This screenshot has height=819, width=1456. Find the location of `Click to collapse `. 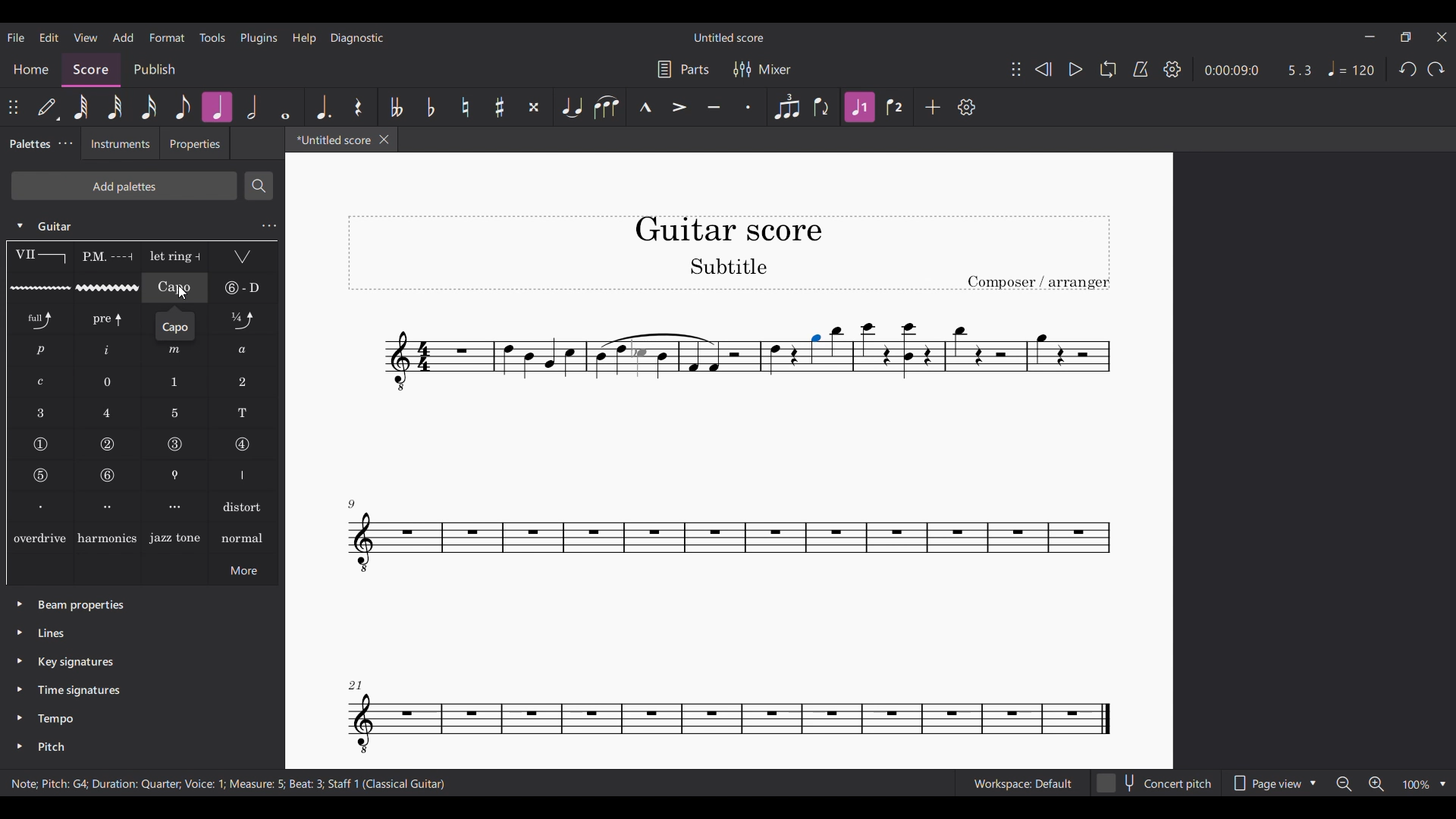

Click to collapse  is located at coordinates (20, 226).